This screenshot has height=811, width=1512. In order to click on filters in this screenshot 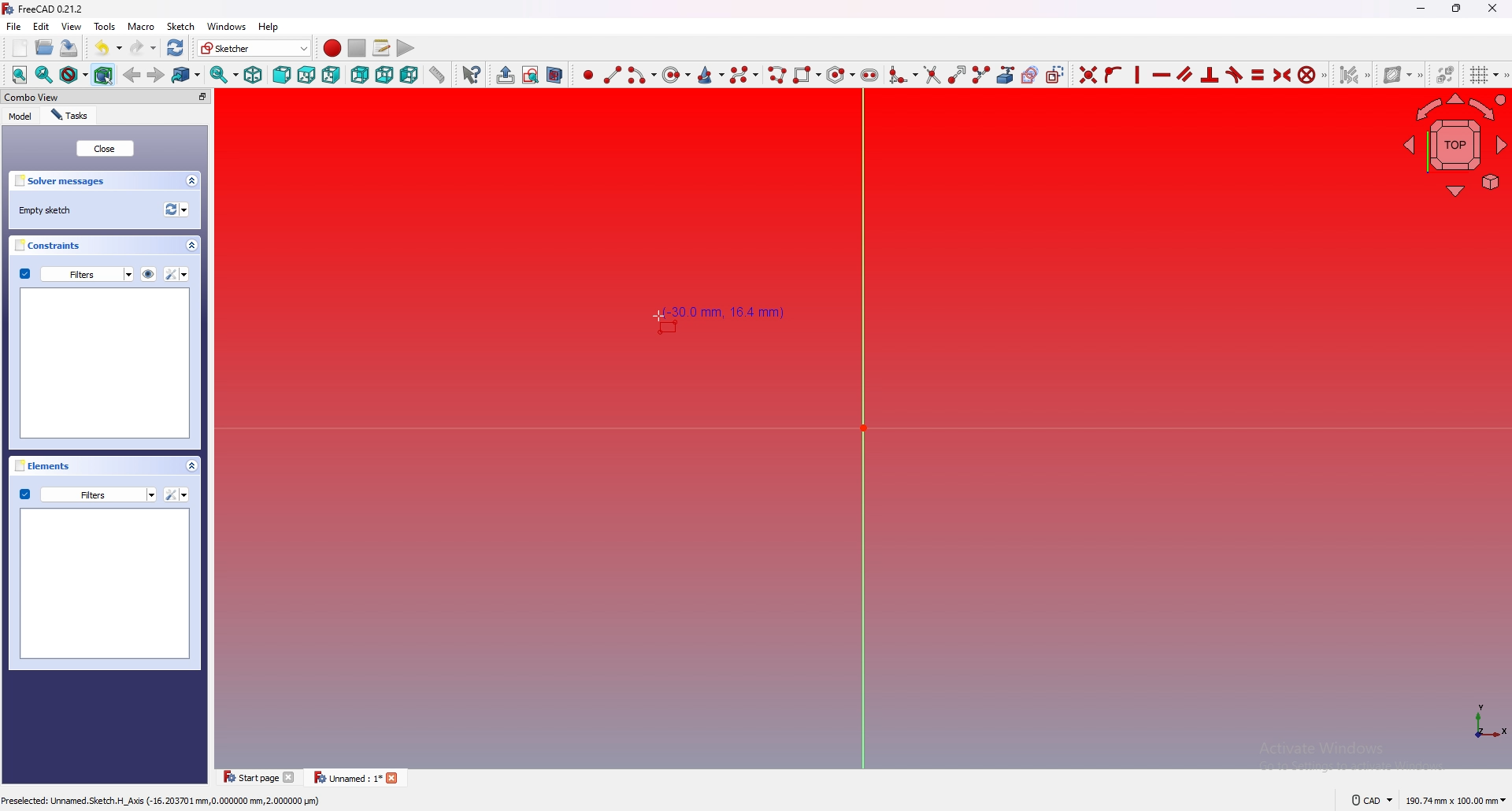, I will do `click(87, 494)`.